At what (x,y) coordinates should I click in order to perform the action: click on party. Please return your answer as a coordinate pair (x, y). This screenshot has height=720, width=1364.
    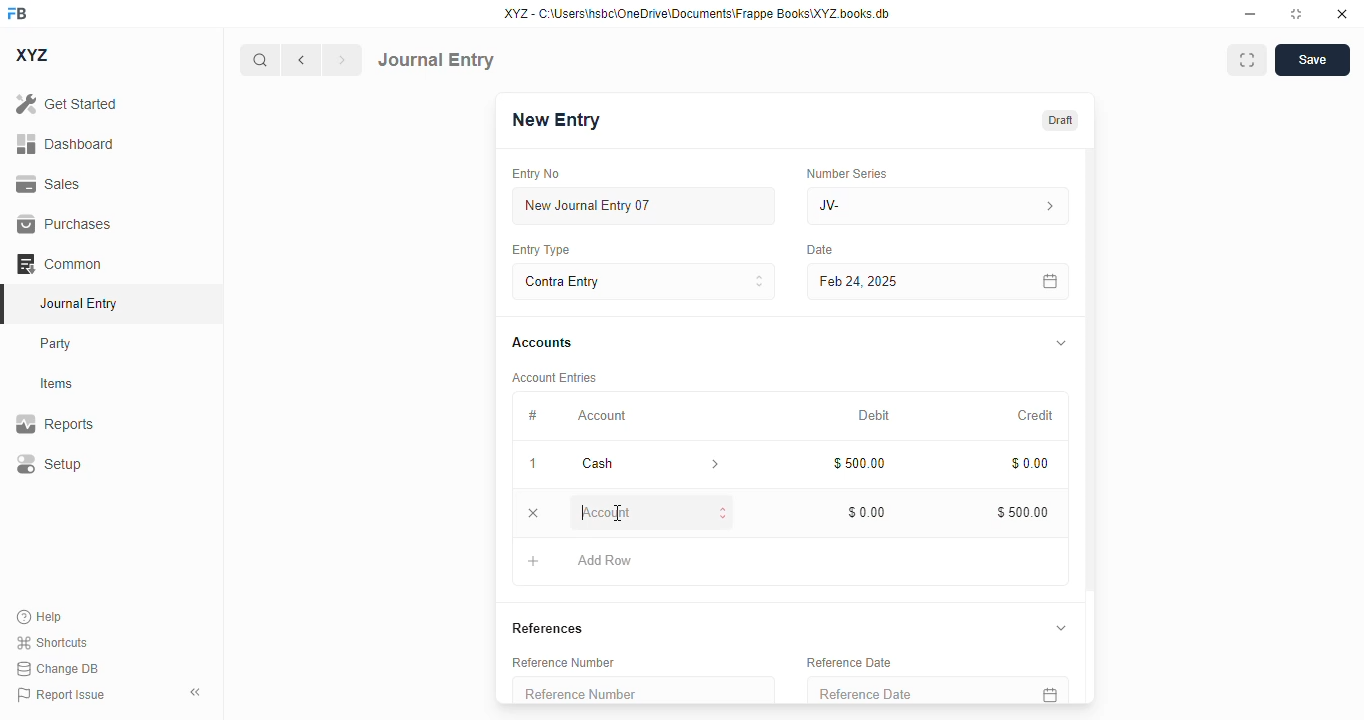
    Looking at the image, I should click on (58, 344).